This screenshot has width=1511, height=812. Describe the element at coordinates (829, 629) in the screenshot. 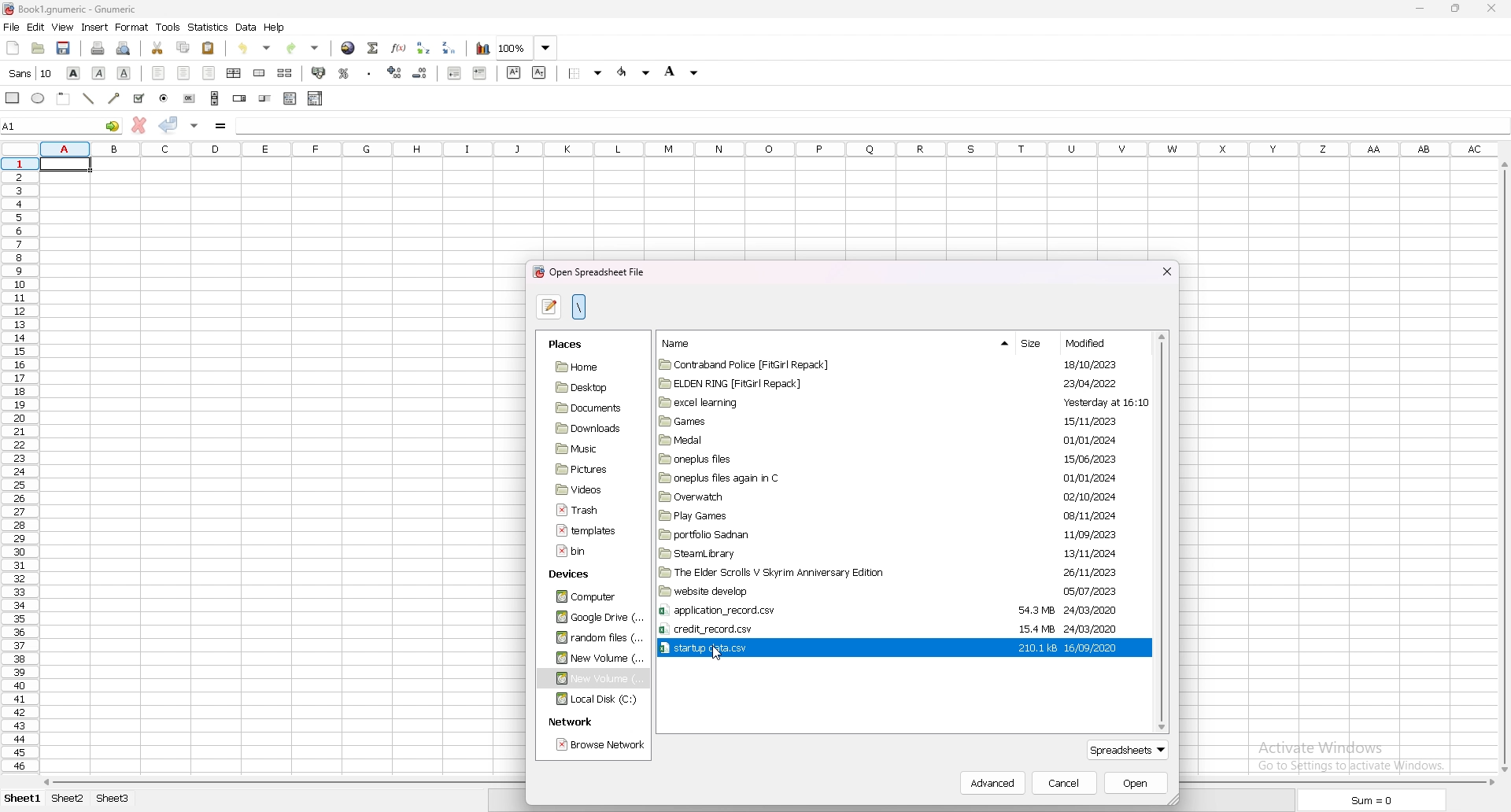

I see `file` at that location.